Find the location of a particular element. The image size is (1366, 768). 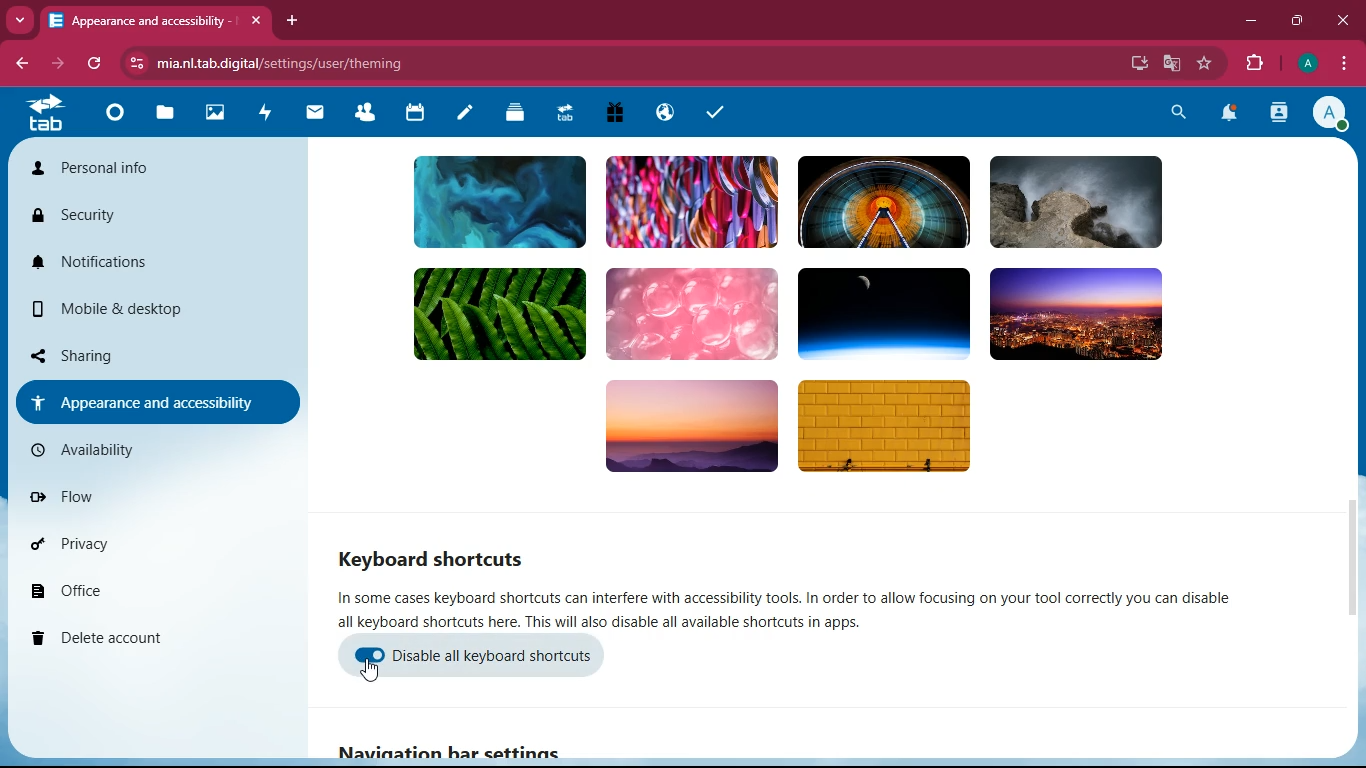

sharing is located at coordinates (125, 353).